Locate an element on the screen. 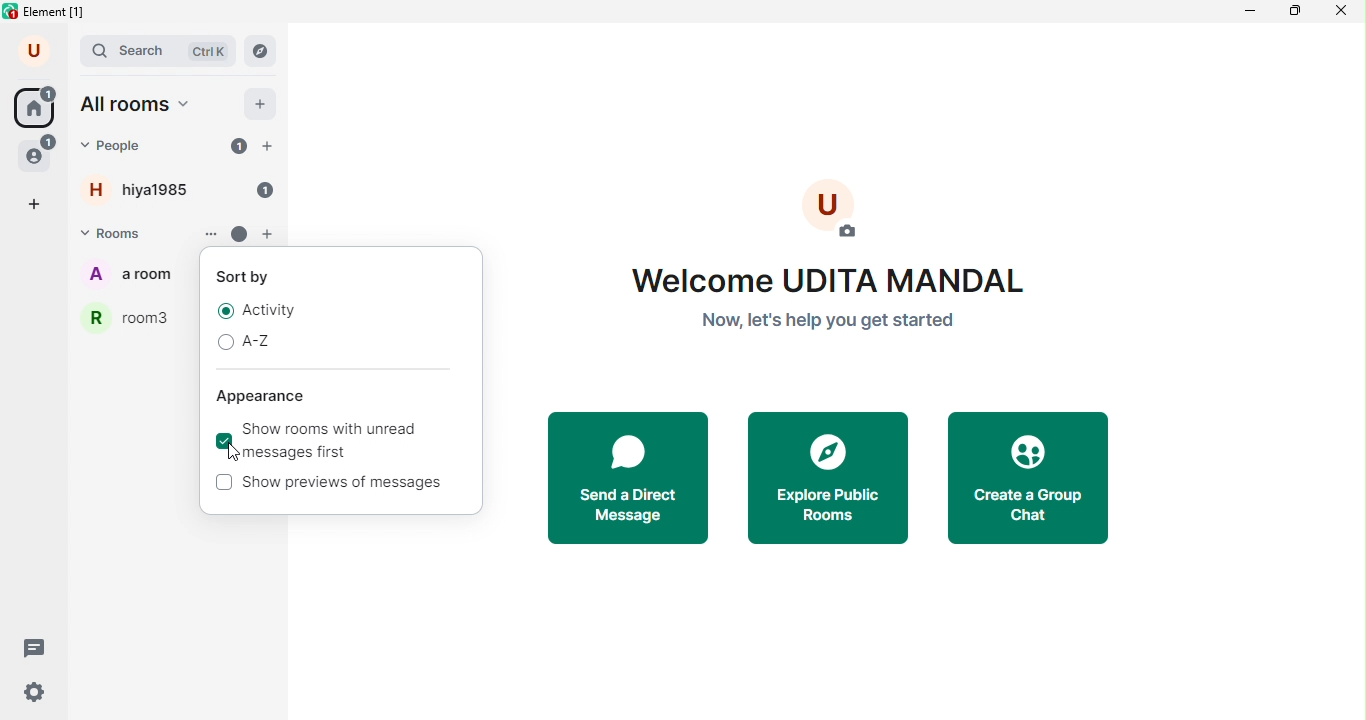 The width and height of the screenshot is (1366, 720). create a group chat is located at coordinates (1030, 477).